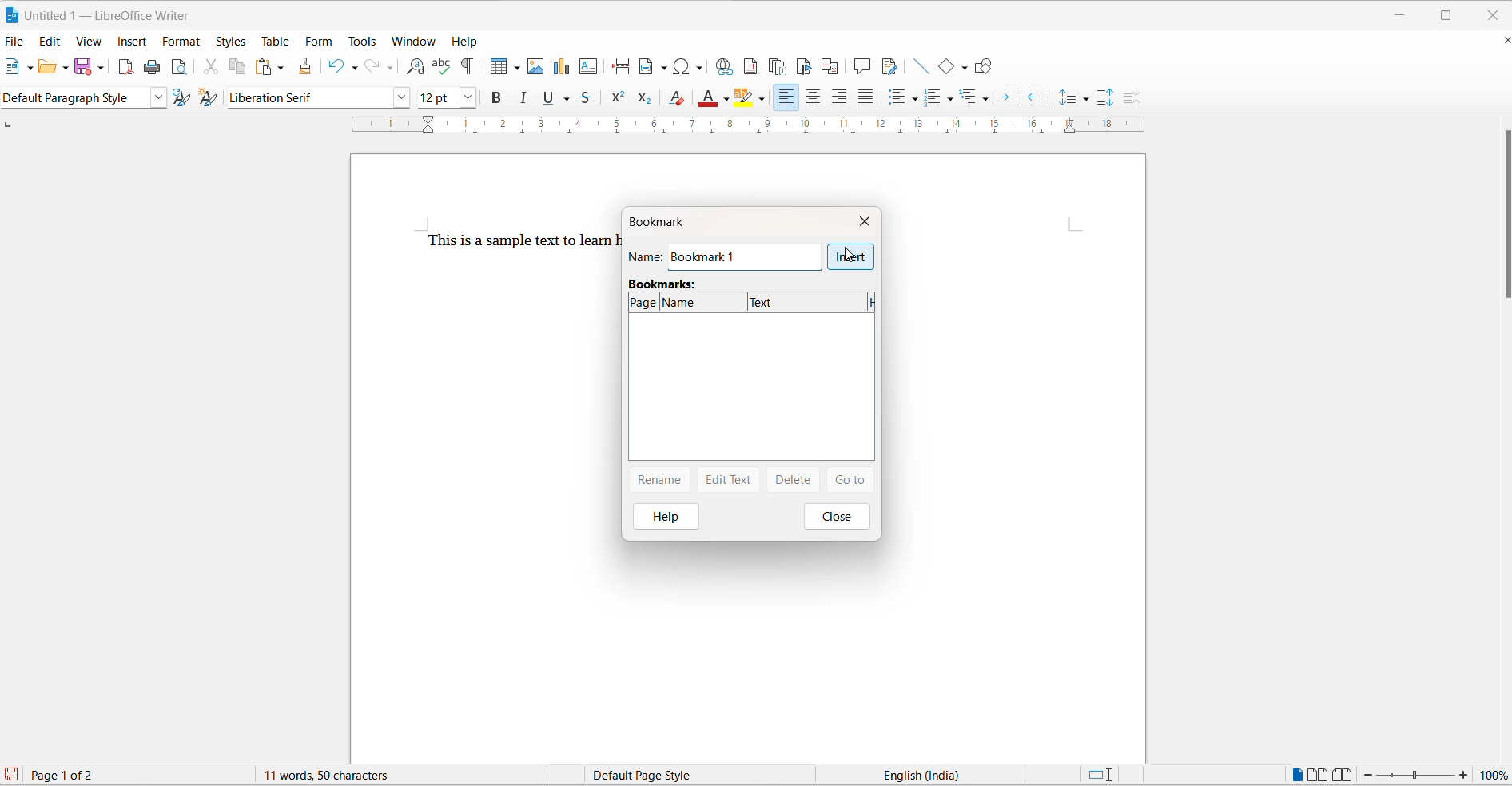 The height and width of the screenshot is (786, 1512). What do you see at coordinates (307, 98) in the screenshot?
I see `font name` at bounding box center [307, 98].